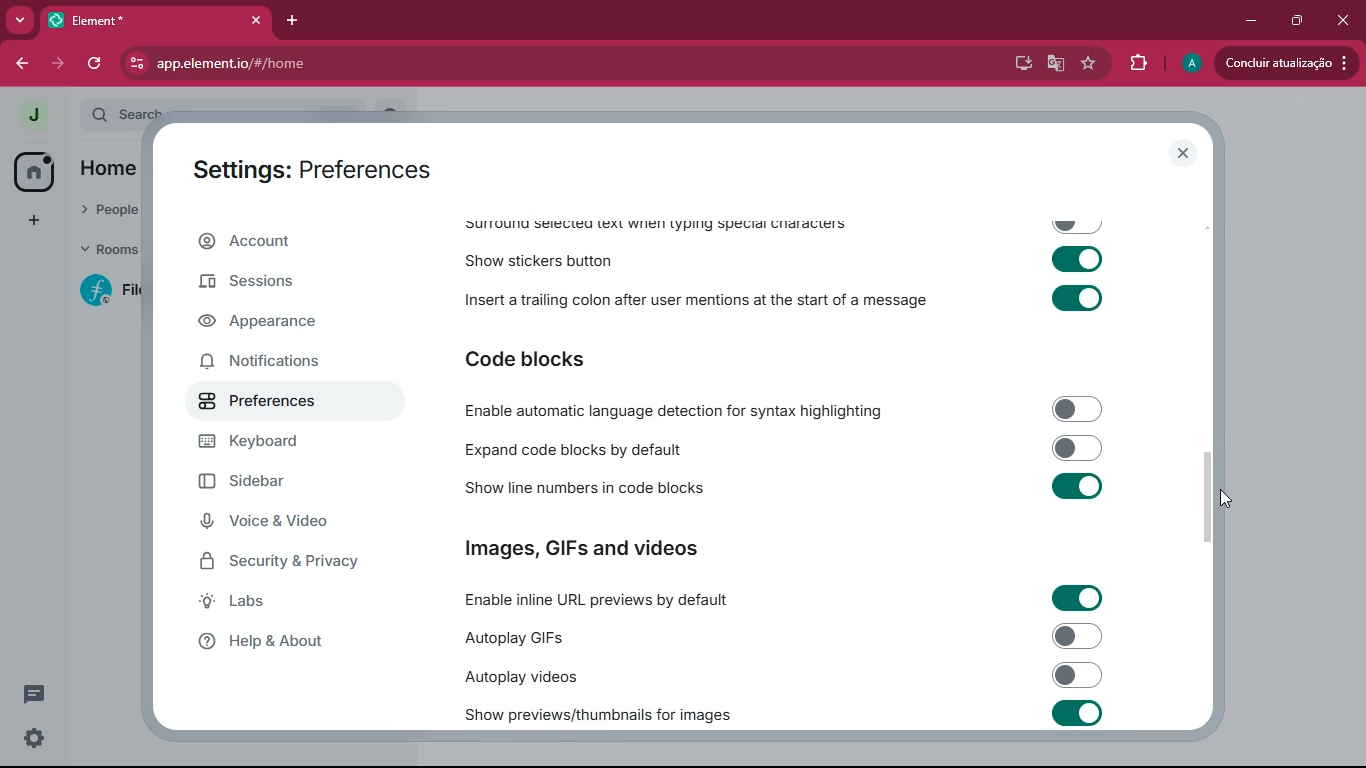  What do you see at coordinates (287, 563) in the screenshot?
I see `security & Privacy` at bounding box center [287, 563].